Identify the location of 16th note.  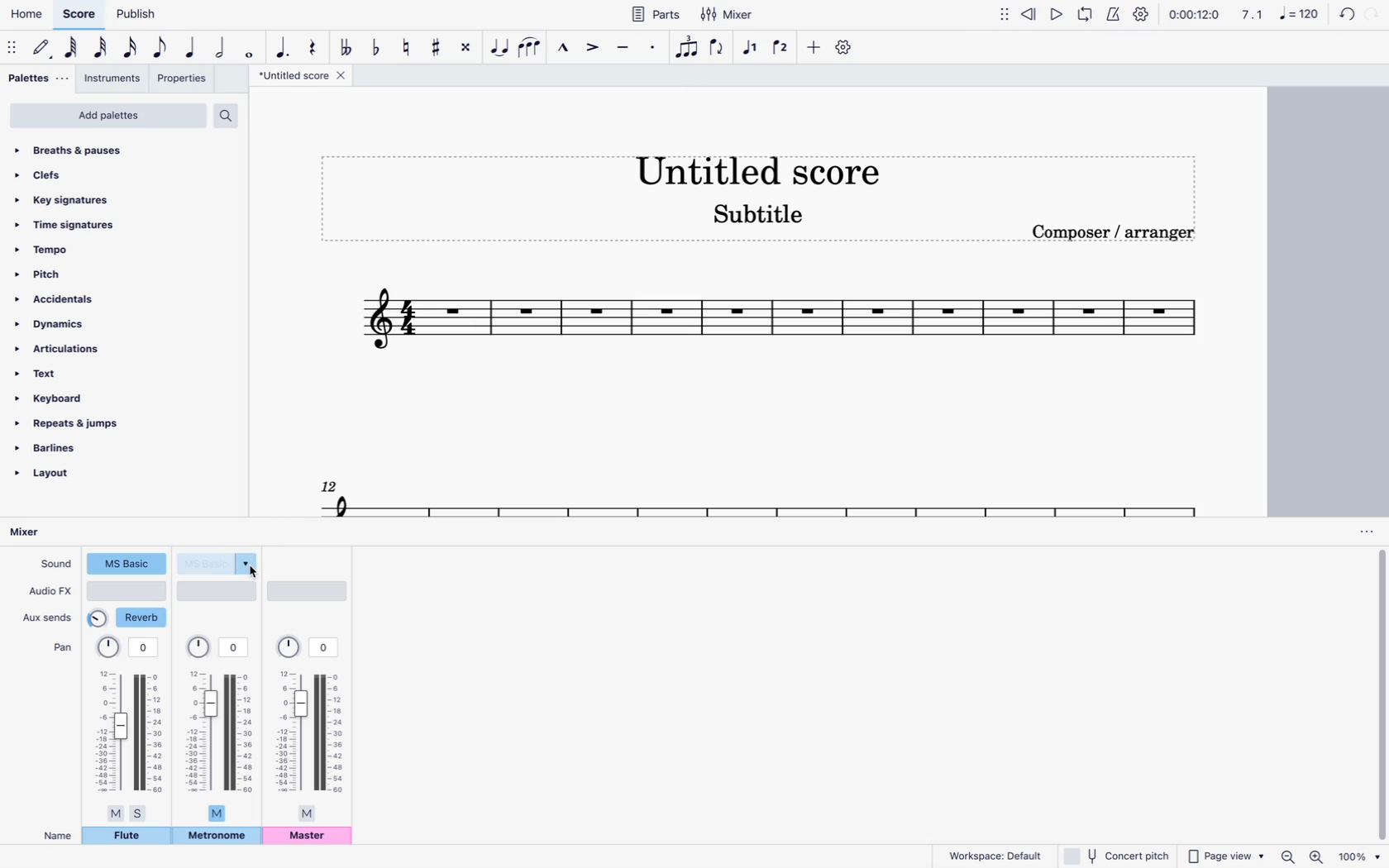
(131, 48).